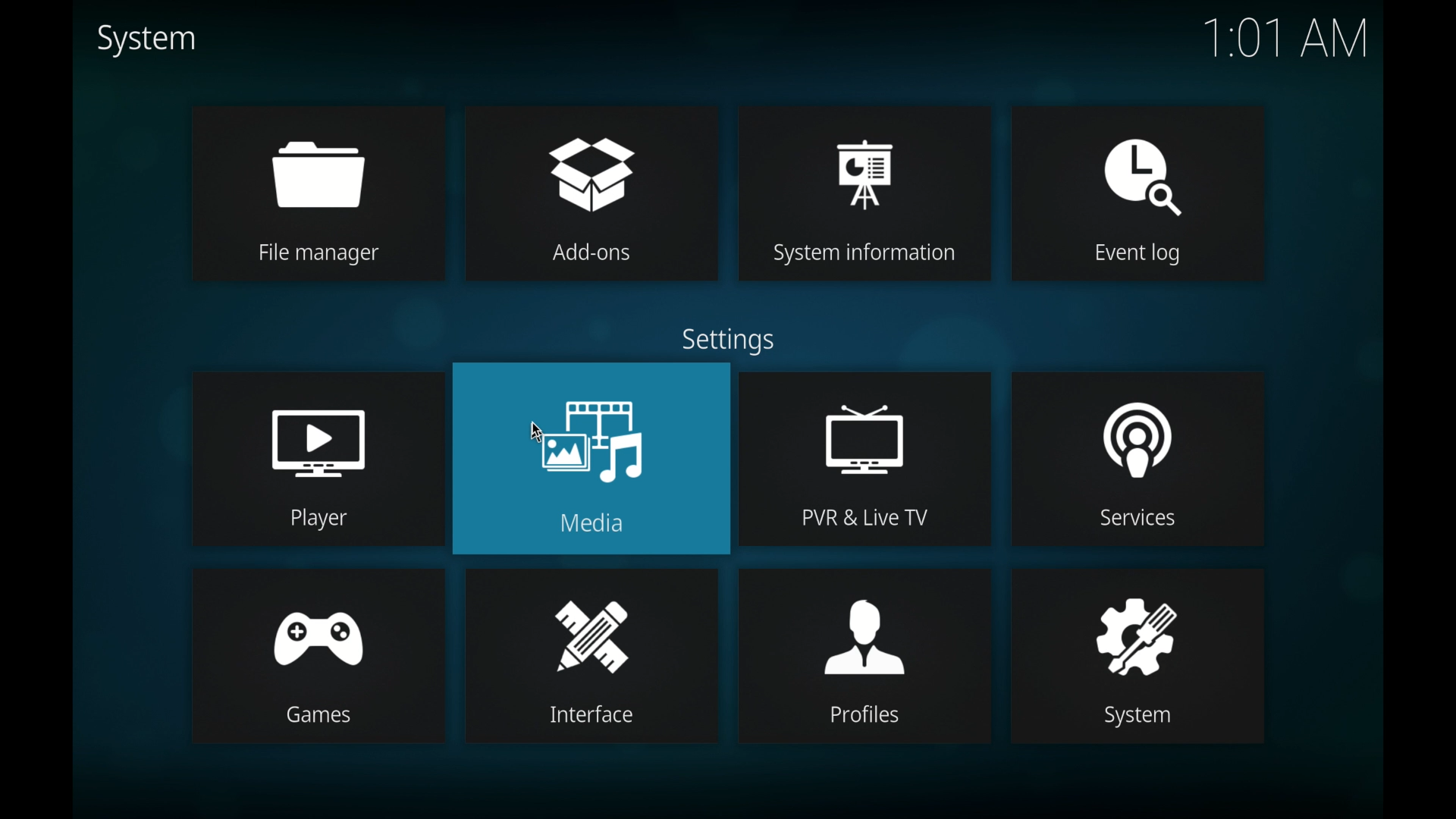 The height and width of the screenshot is (819, 1456). Describe the element at coordinates (728, 342) in the screenshot. I see `settings` at that location.